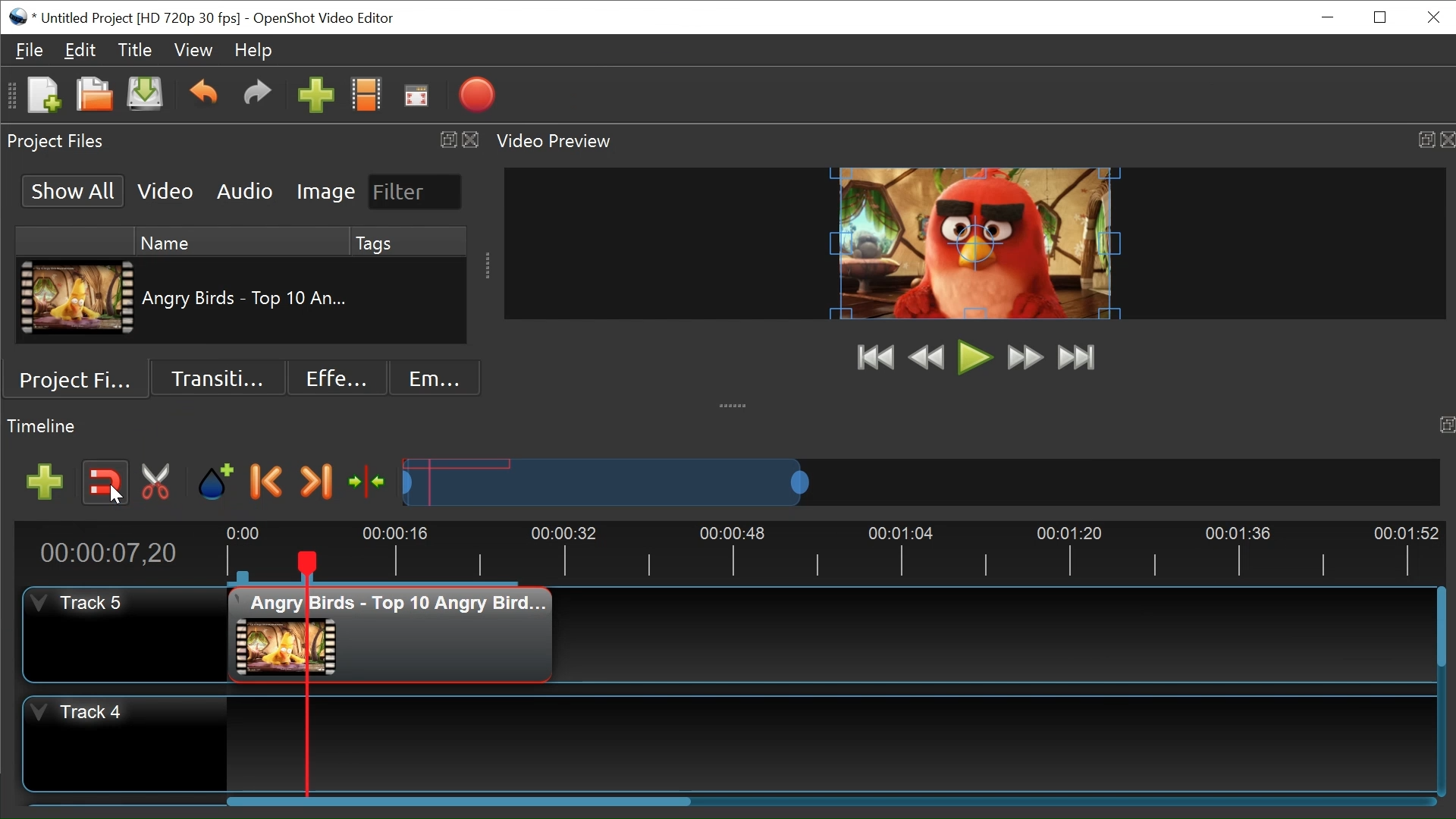 This screenshot has width=1456, height=819. Describe the element at coordinates (202, 241) in the screenshot. I see `` at that location.